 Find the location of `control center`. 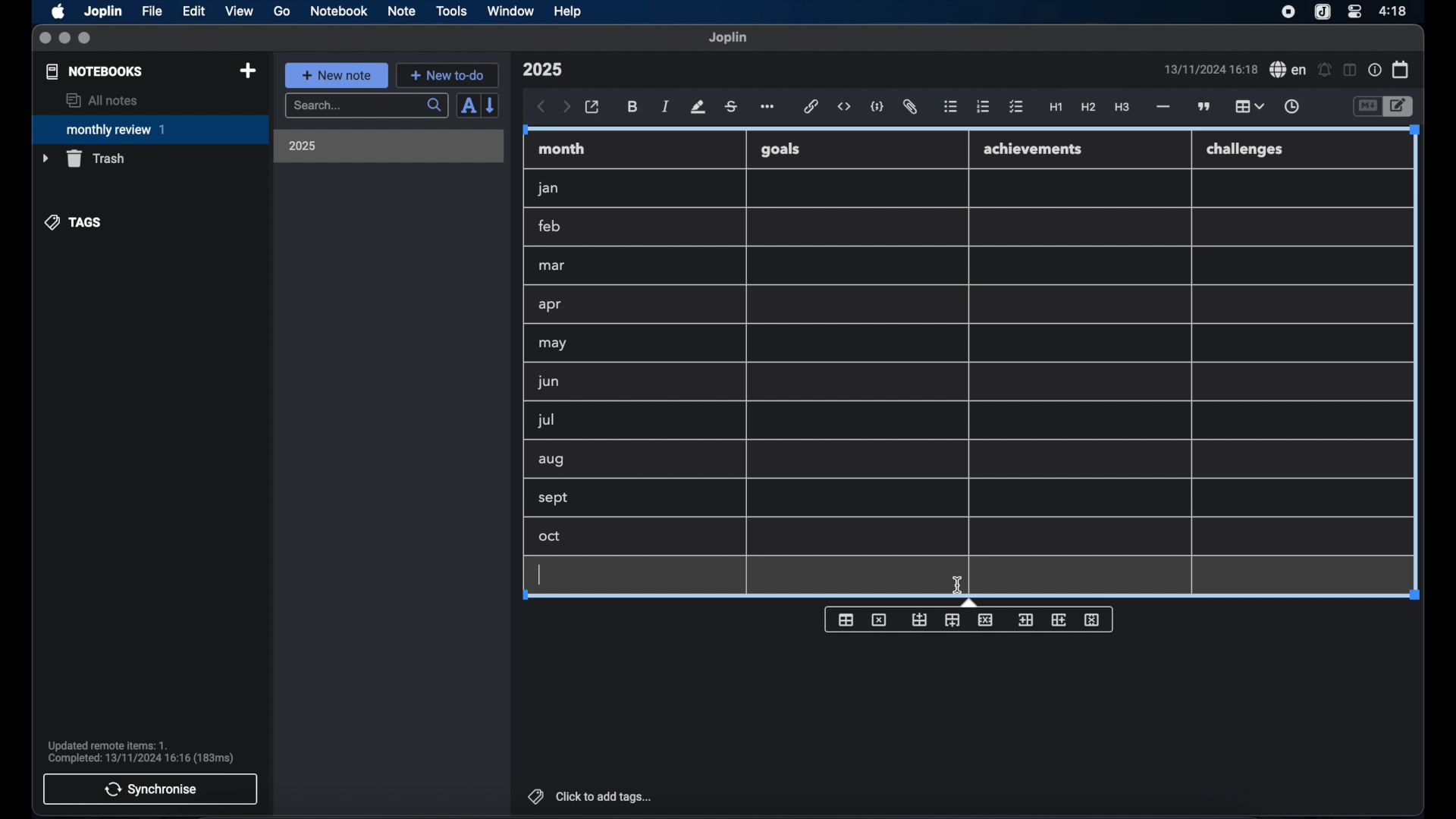

control center is located at coordinates (1354, 11).